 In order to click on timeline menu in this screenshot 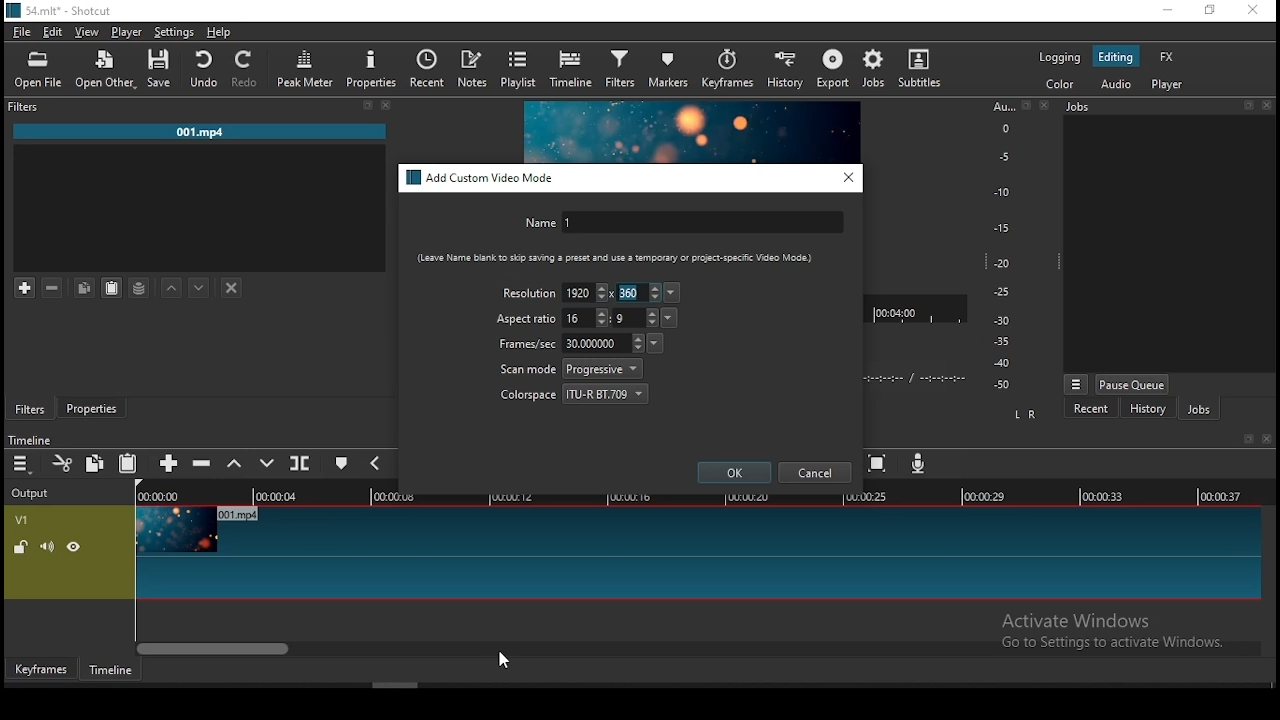, I will do `click(24, 464)`.